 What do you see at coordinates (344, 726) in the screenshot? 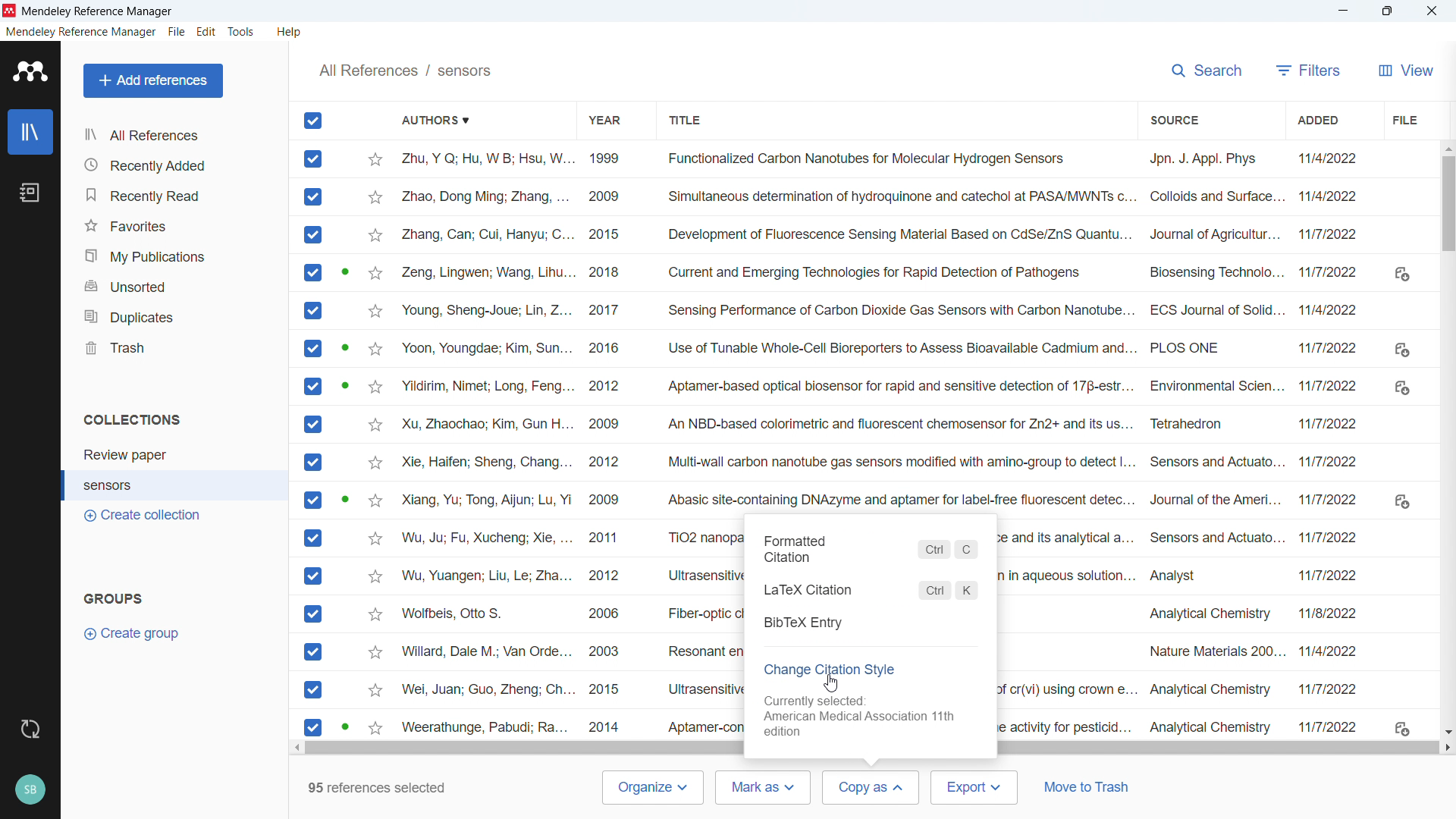
I see `PDF available` at bounding box center [344, 726].